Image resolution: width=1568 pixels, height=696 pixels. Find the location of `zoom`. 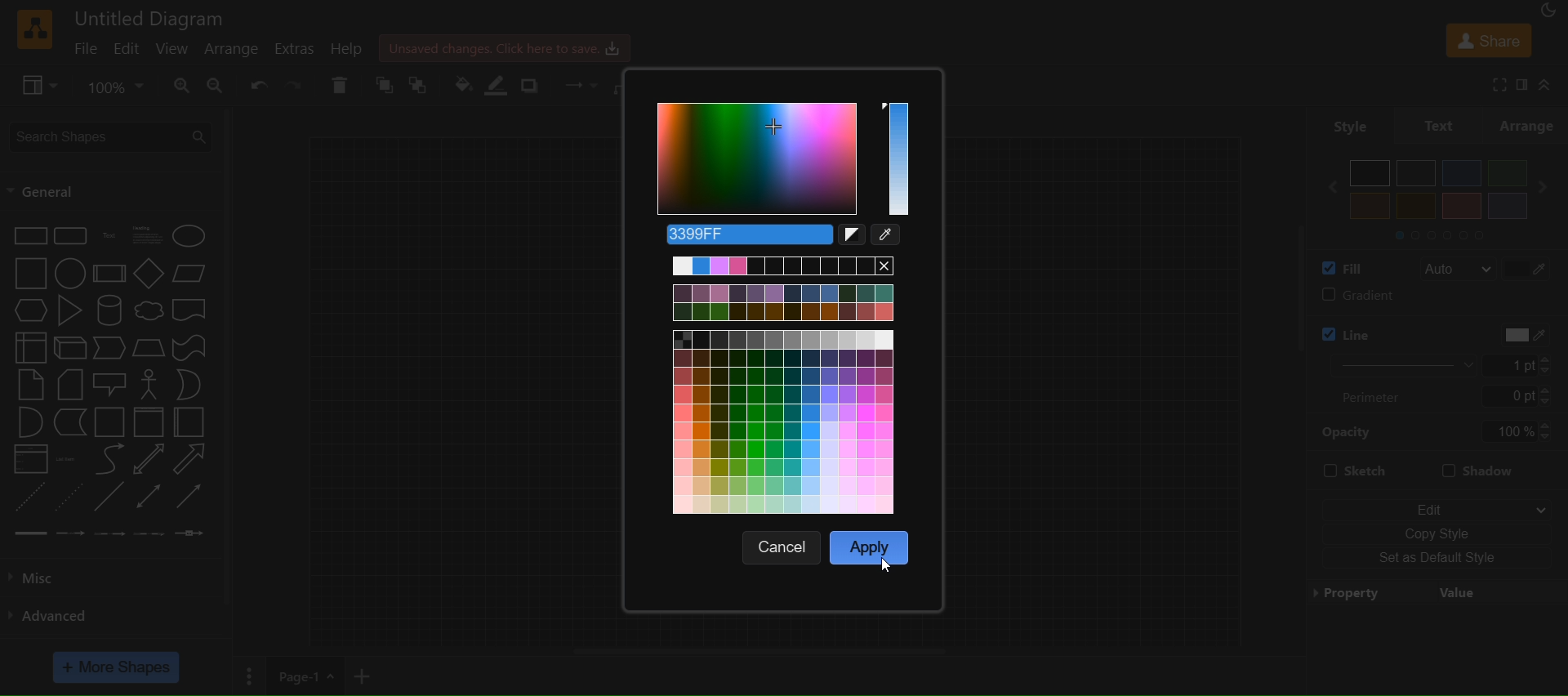

zoom is located at coordinates (118, 85).